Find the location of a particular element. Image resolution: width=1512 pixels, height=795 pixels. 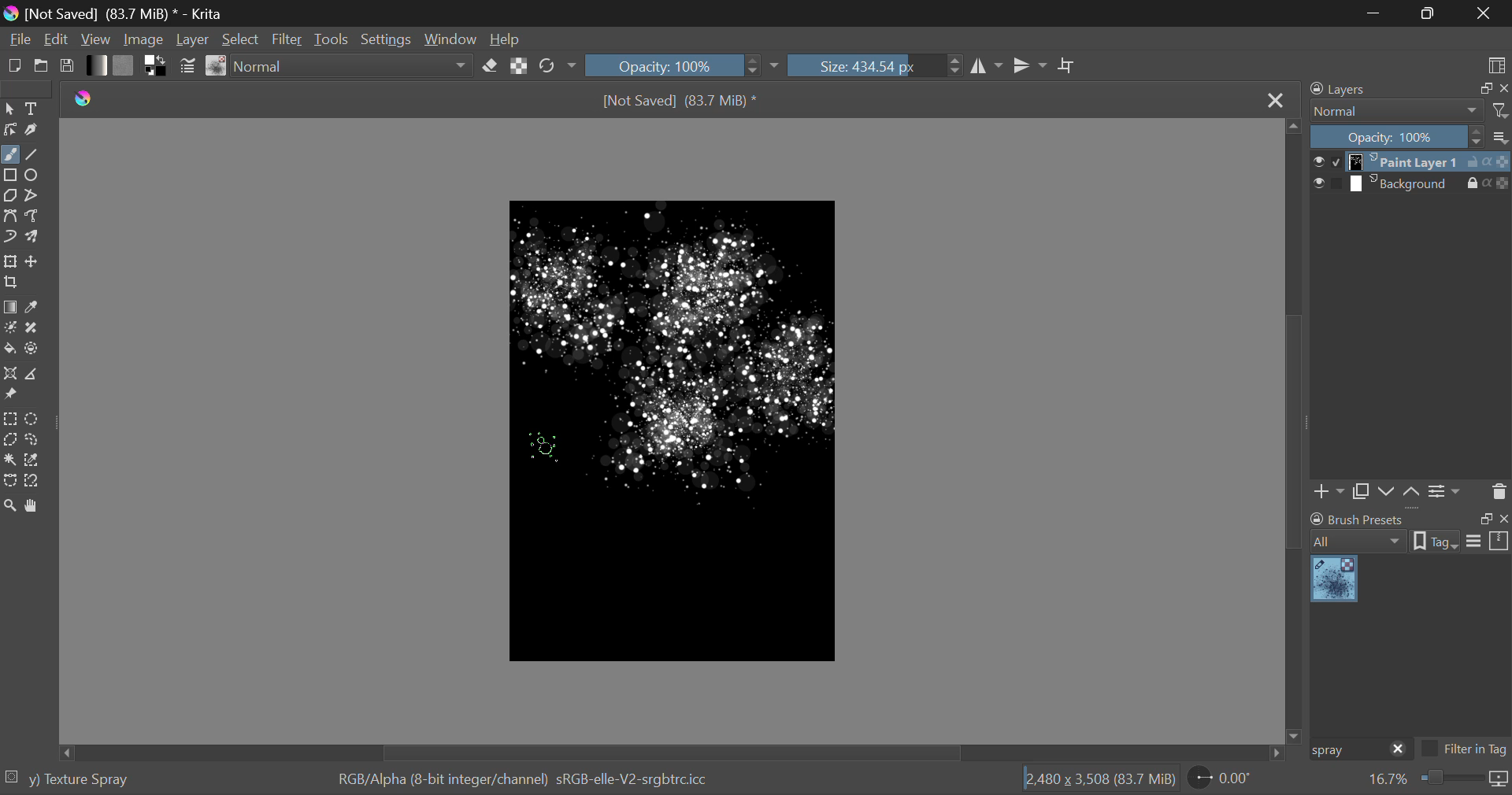

File is located at coordinates (19, 38).